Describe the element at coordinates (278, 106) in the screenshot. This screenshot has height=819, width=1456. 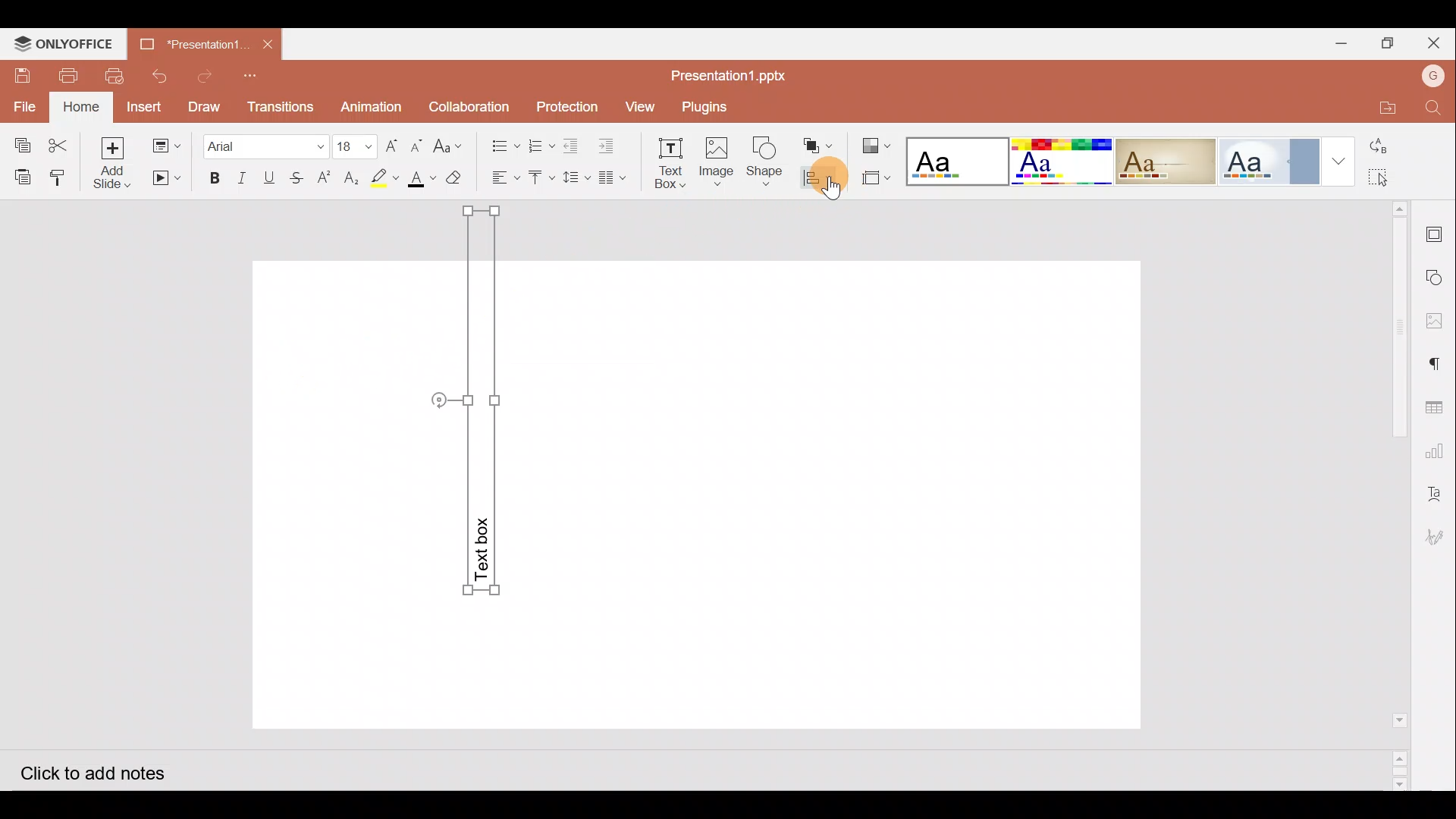
I see `Transitions` at that location.